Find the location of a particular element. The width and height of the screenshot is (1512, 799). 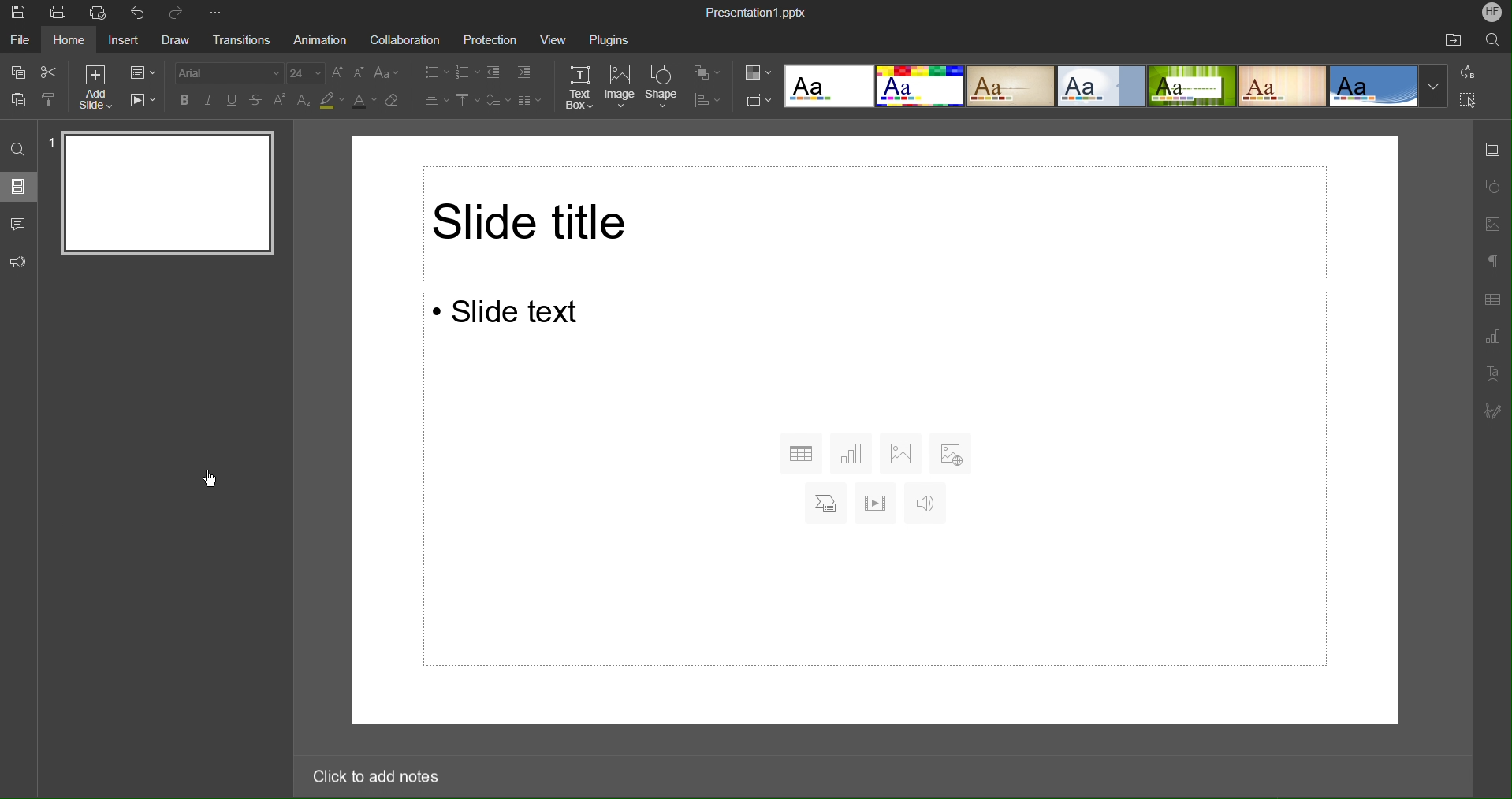

Add Slide is located at coordinates (98, 85).